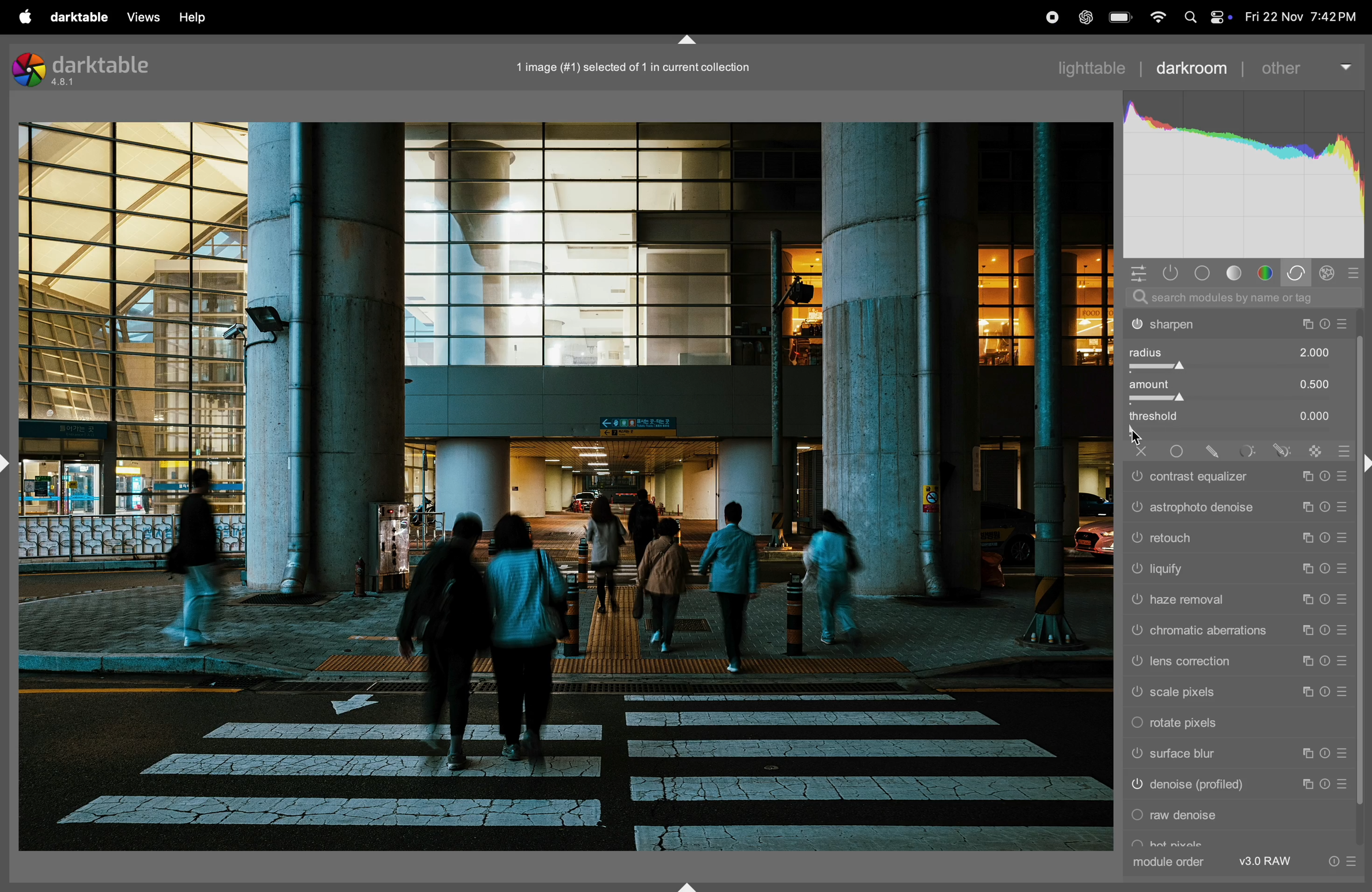  What do you see at coordinates (689, 40) in the screenshot?
I see `shift+ctrl+t` at bounding box center [689, 40].